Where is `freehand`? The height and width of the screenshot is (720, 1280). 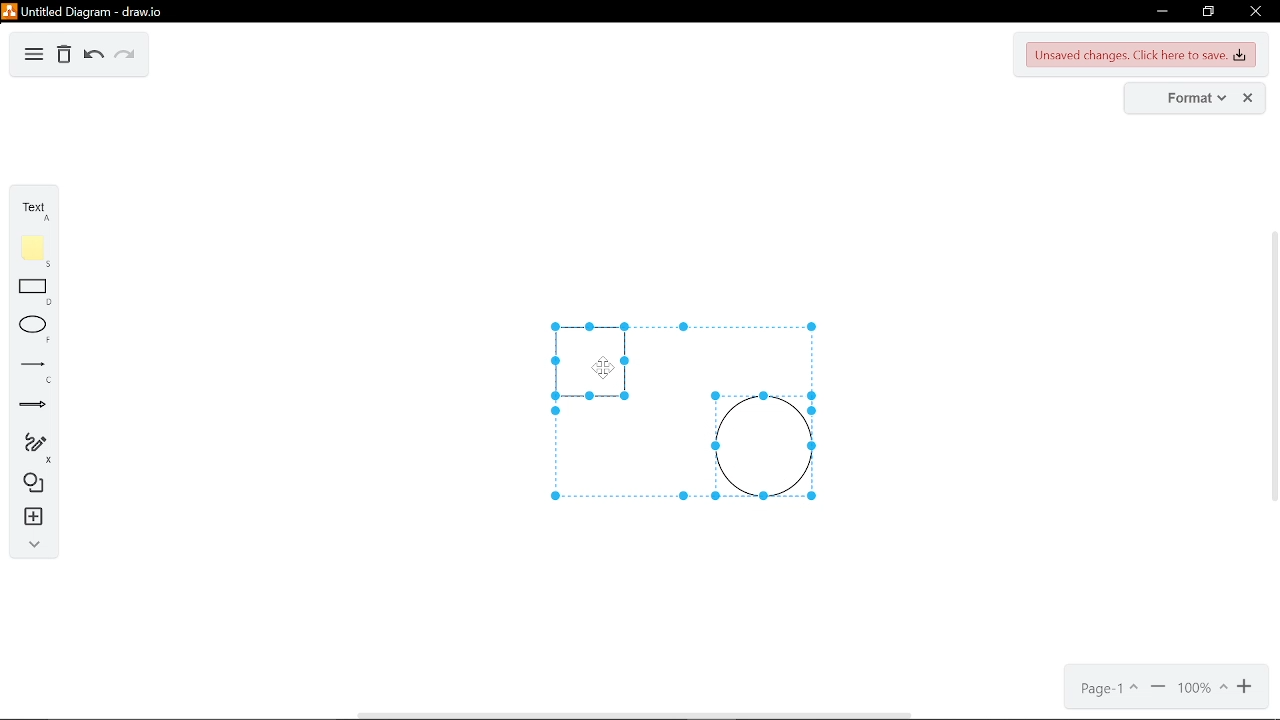 freehand is located at coordinates (27, 448).